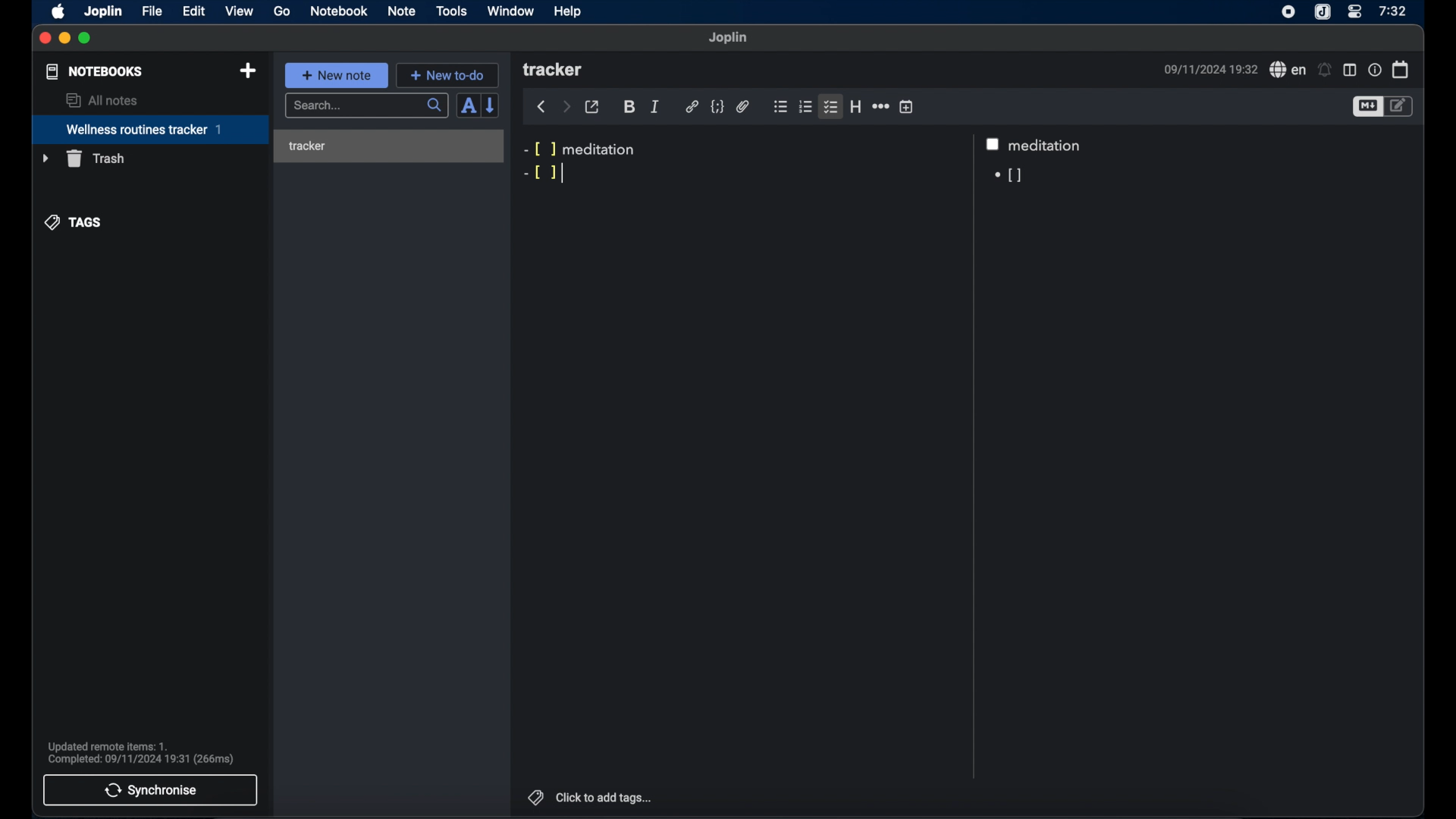 The height and width of the screenshot is (819, 1456). Describe the element at coordinates (1392, 11) in the screenshot. I see `7:32` at that location.